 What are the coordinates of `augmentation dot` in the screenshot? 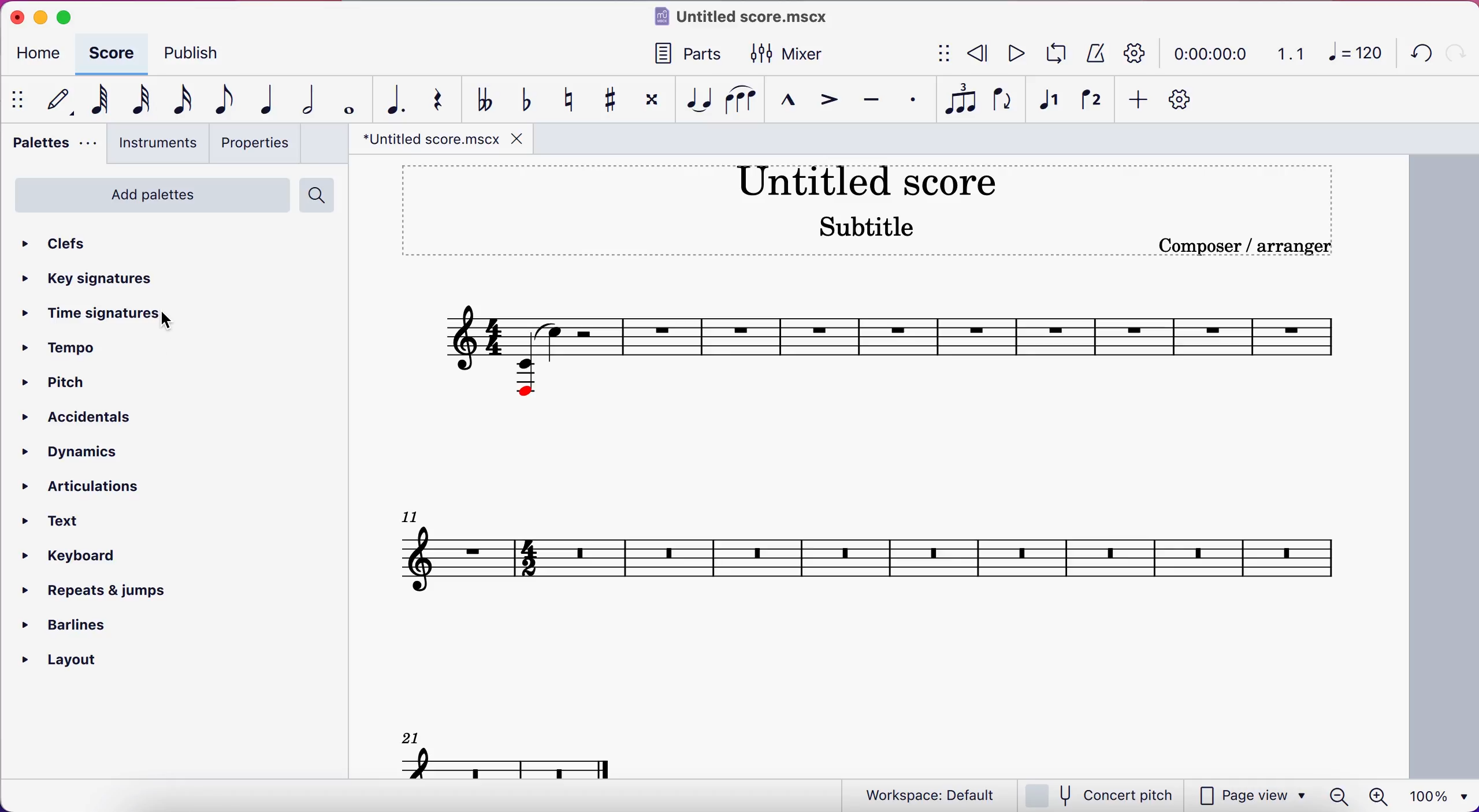 It's located at (388, 99).